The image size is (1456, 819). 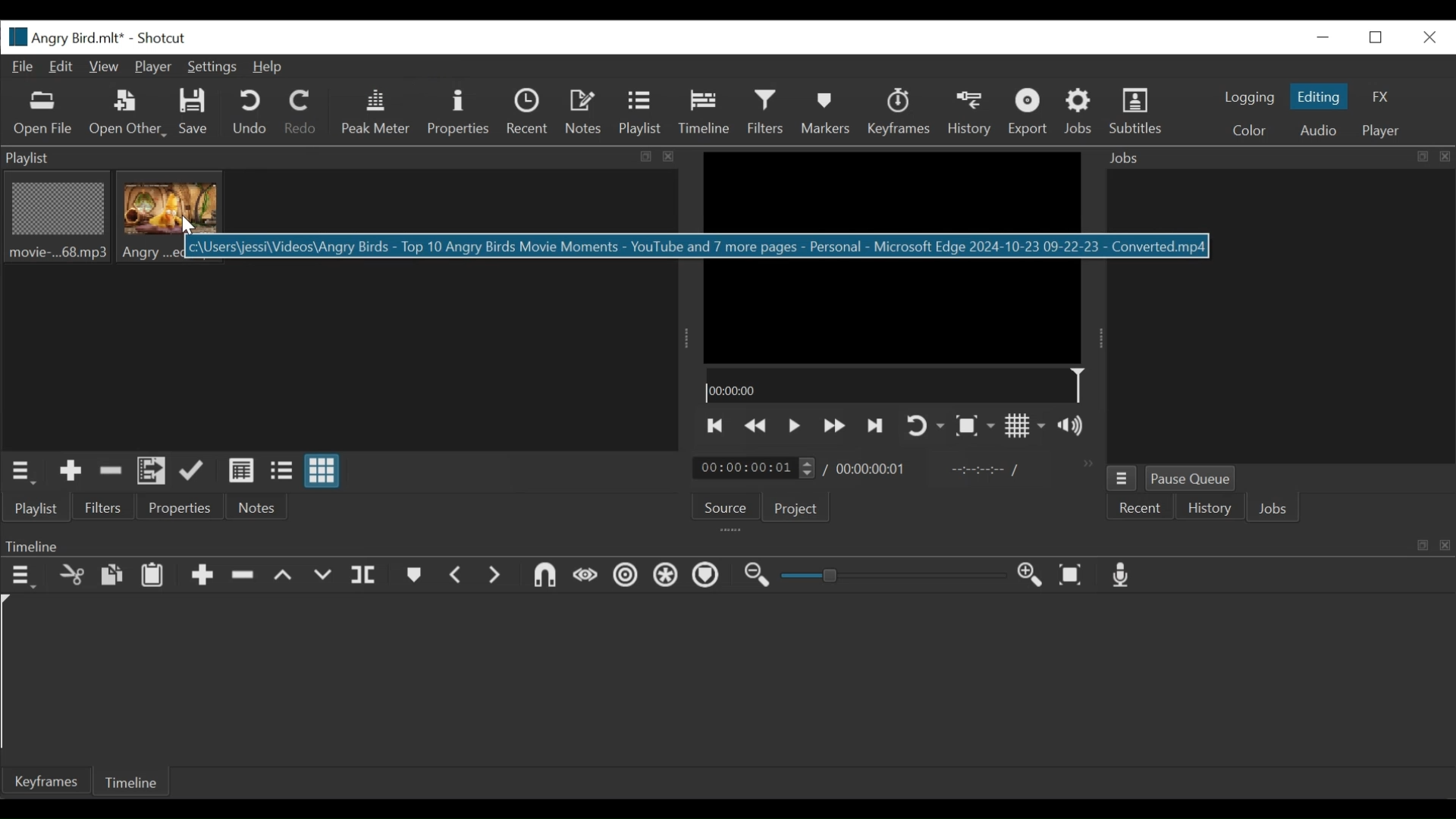 What do you see at coordinates (195, 472) in the screenshot?
I see `Update` at bounding box center [195, 472].